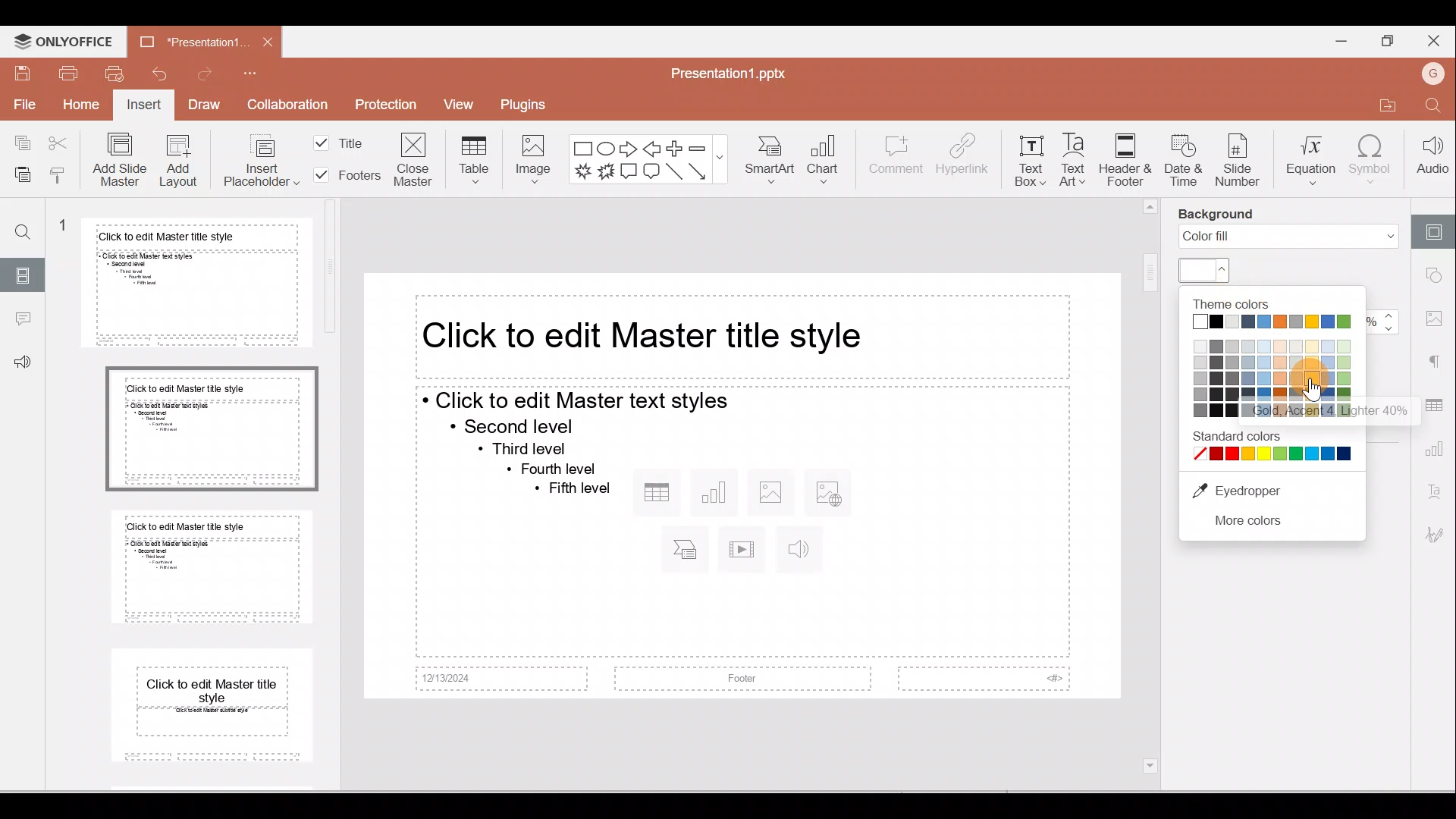 The width and height of the screenshot is (1456, 819). Describe the element at coordinates (24, 362) in the screenshot. I see `Feedback & support` at that location.